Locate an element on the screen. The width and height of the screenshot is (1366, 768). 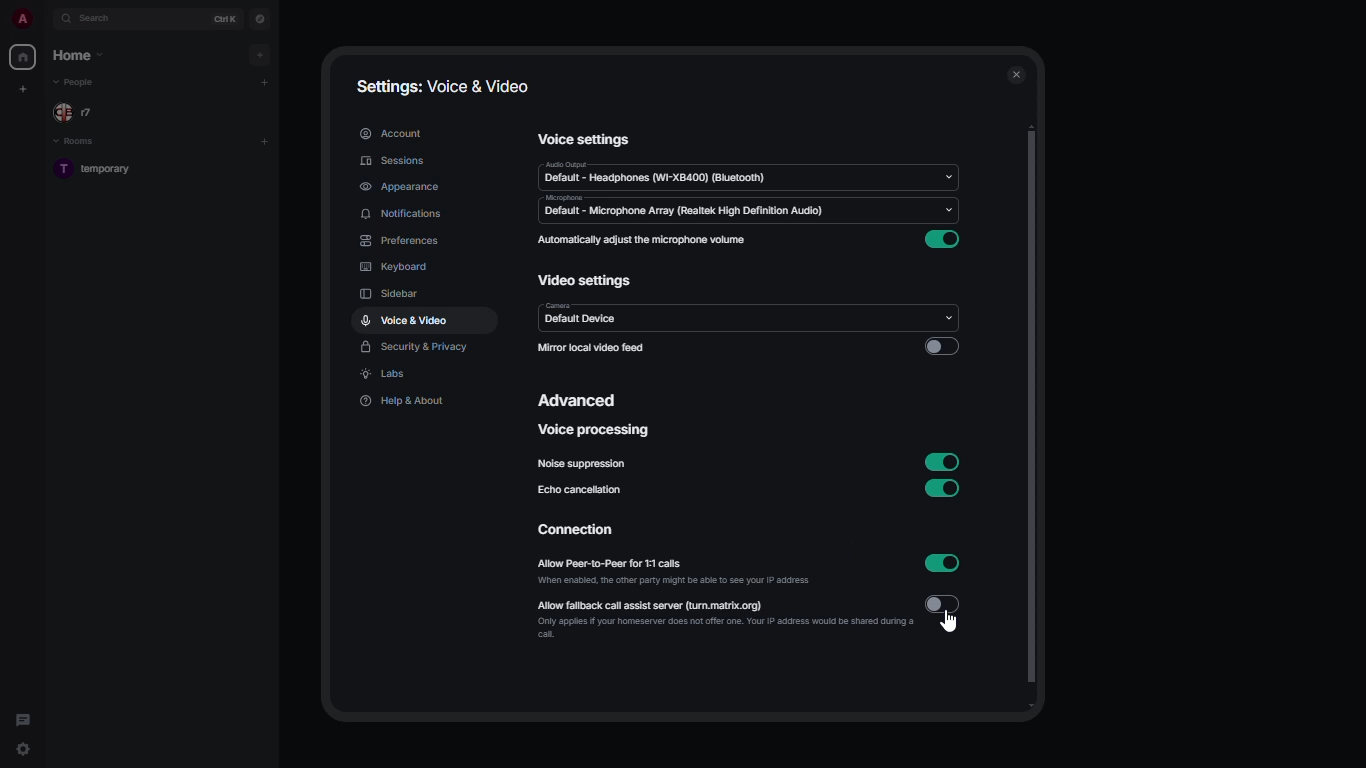
home is located at coordinates (22, 57).